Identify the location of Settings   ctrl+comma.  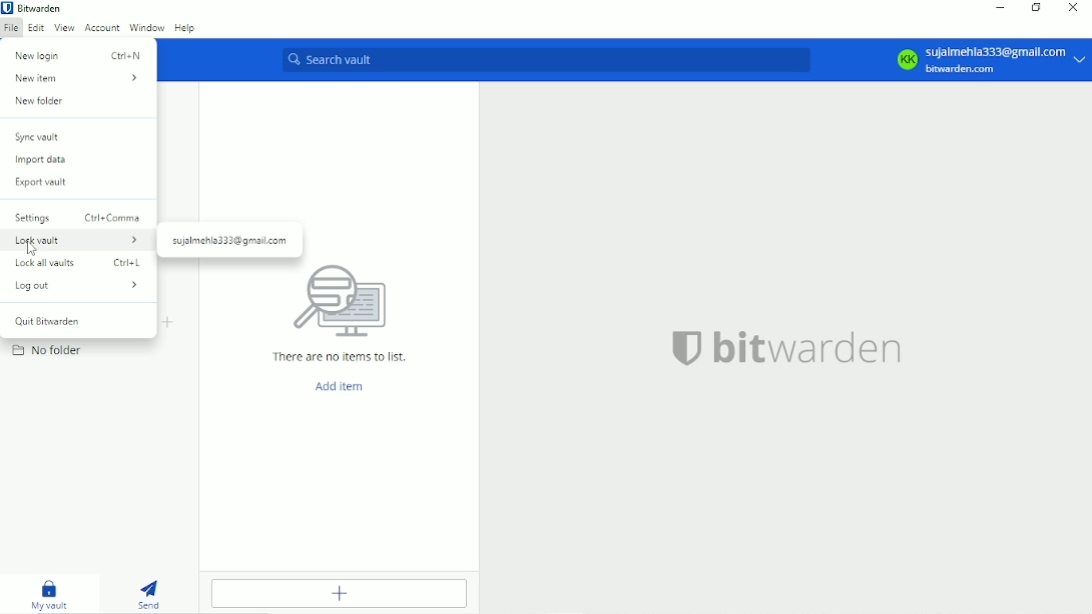
(78, 217).